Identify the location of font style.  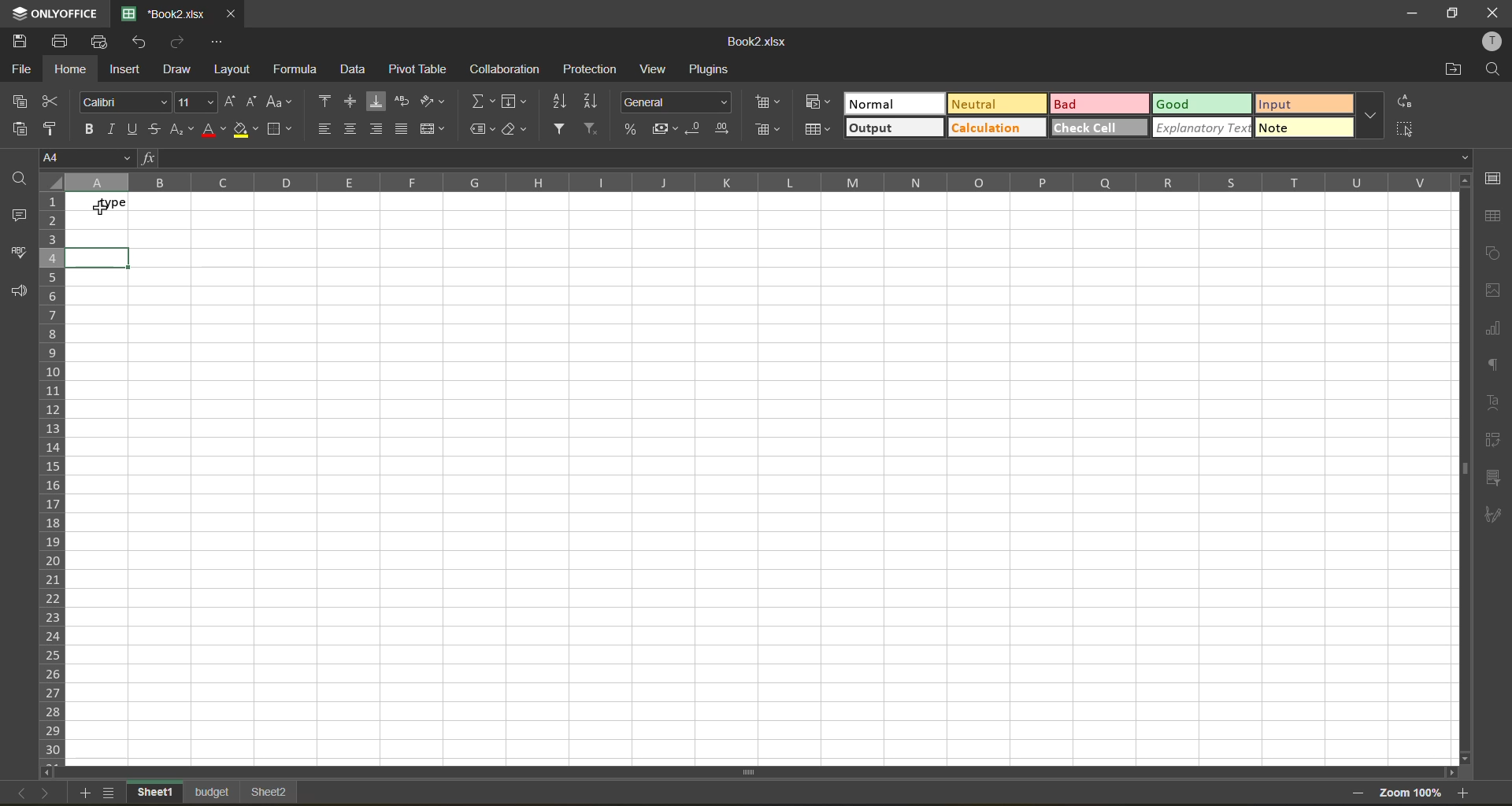
(126, 102).